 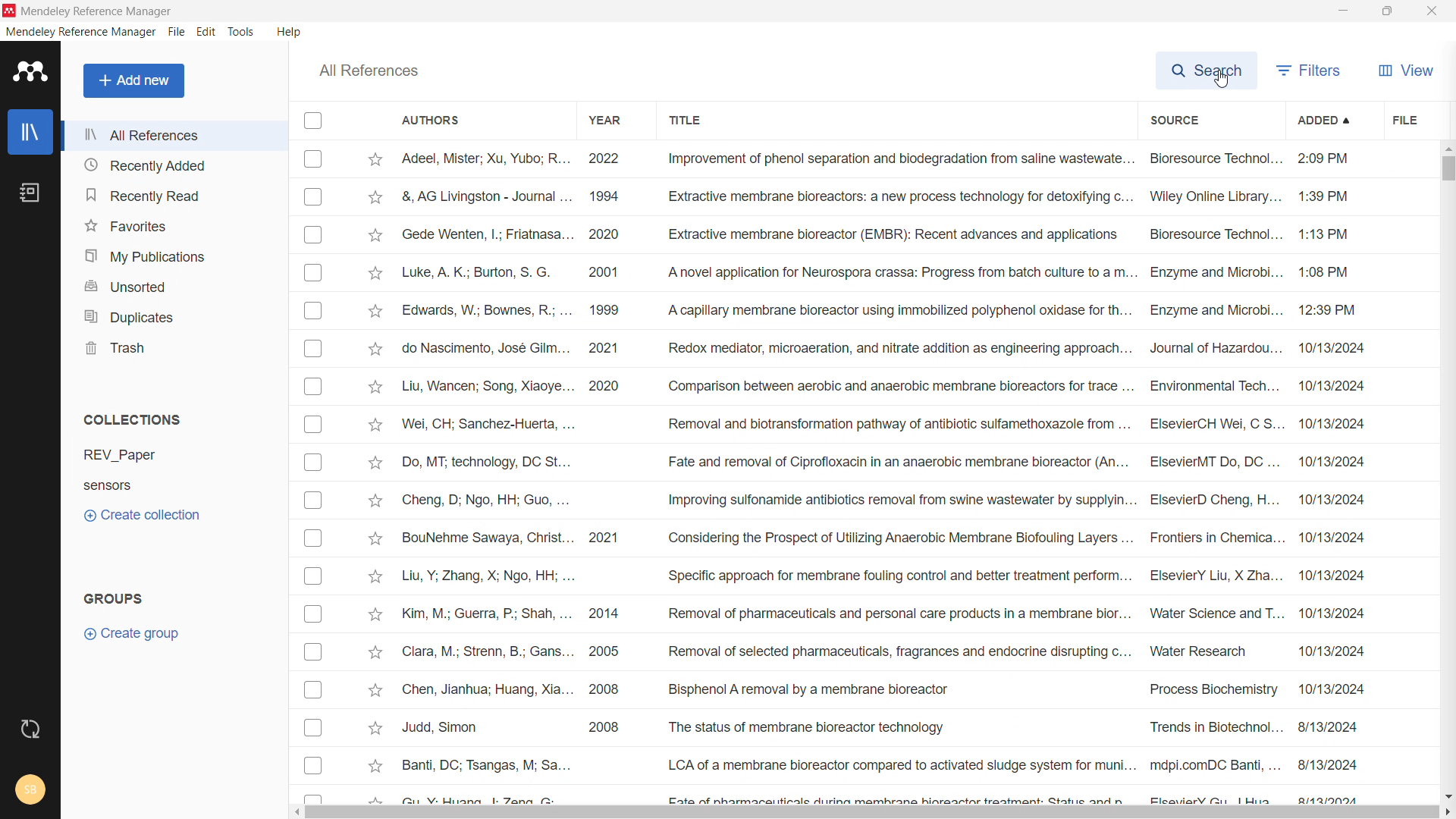 I want to click on view, so click(x=1407, y=68).